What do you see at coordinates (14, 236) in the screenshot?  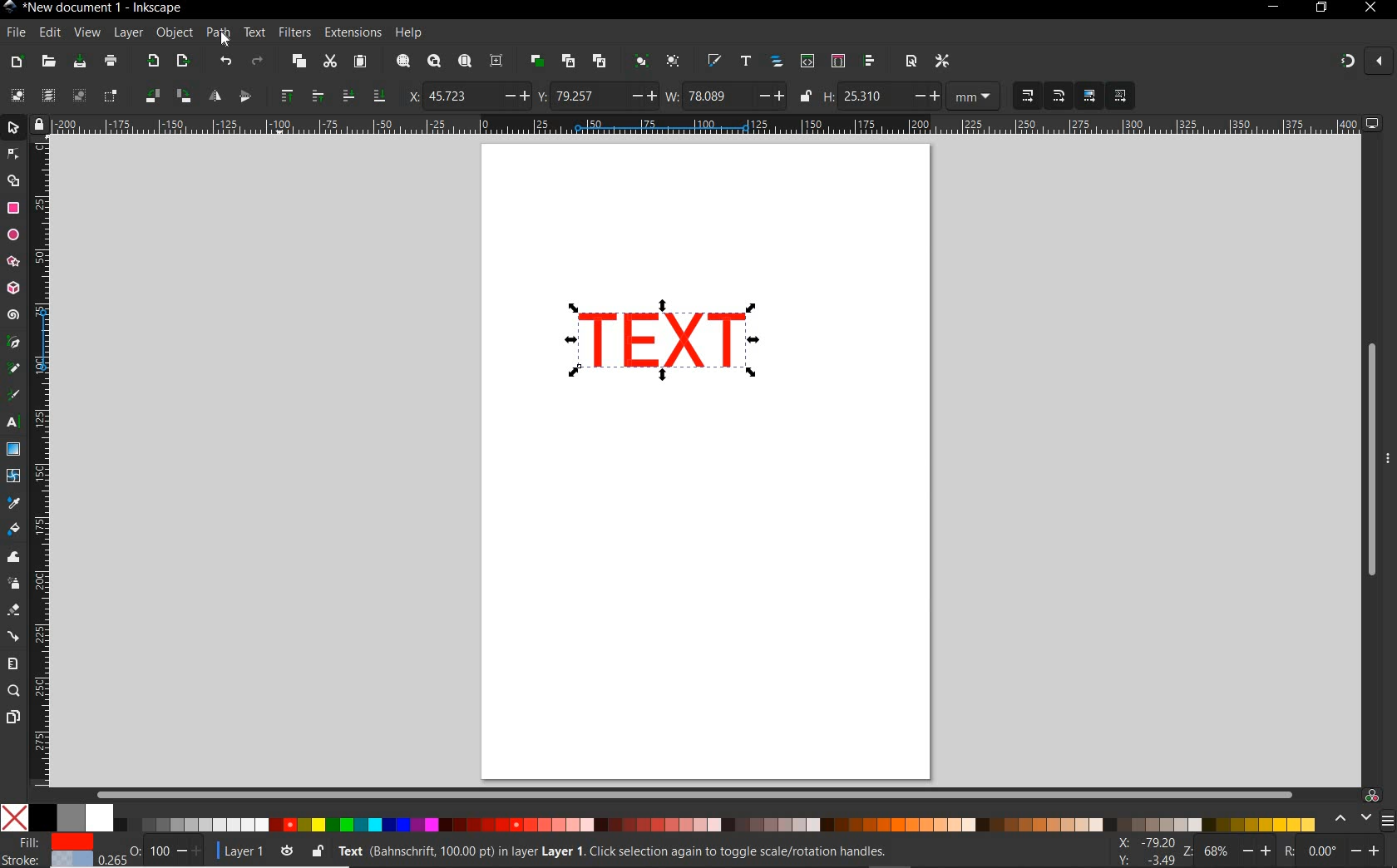 I see `ELLIPSE TOOL` at bounding box center [14, 236].